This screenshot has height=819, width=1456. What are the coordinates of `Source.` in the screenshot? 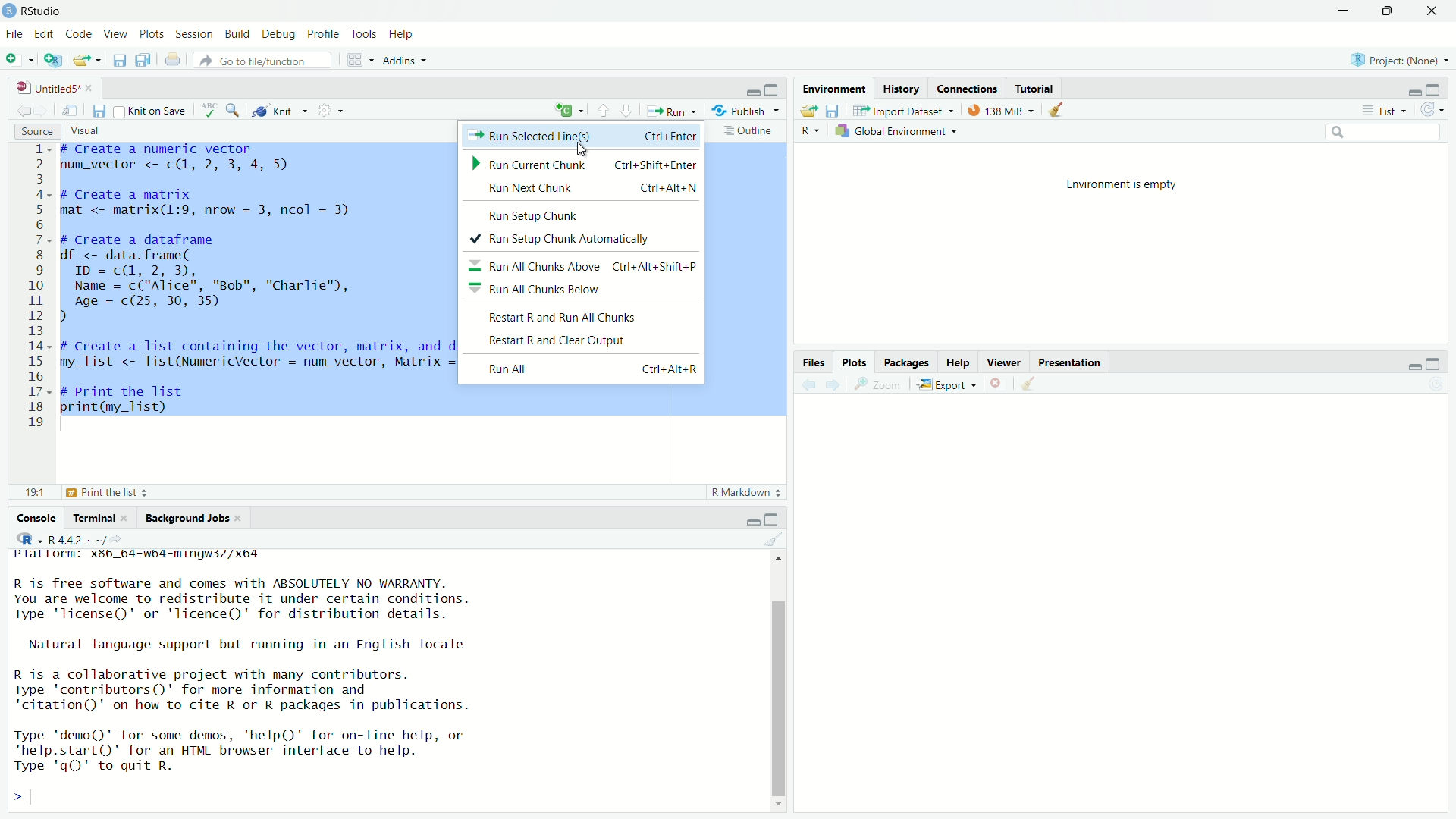 It's located at (29, 130).